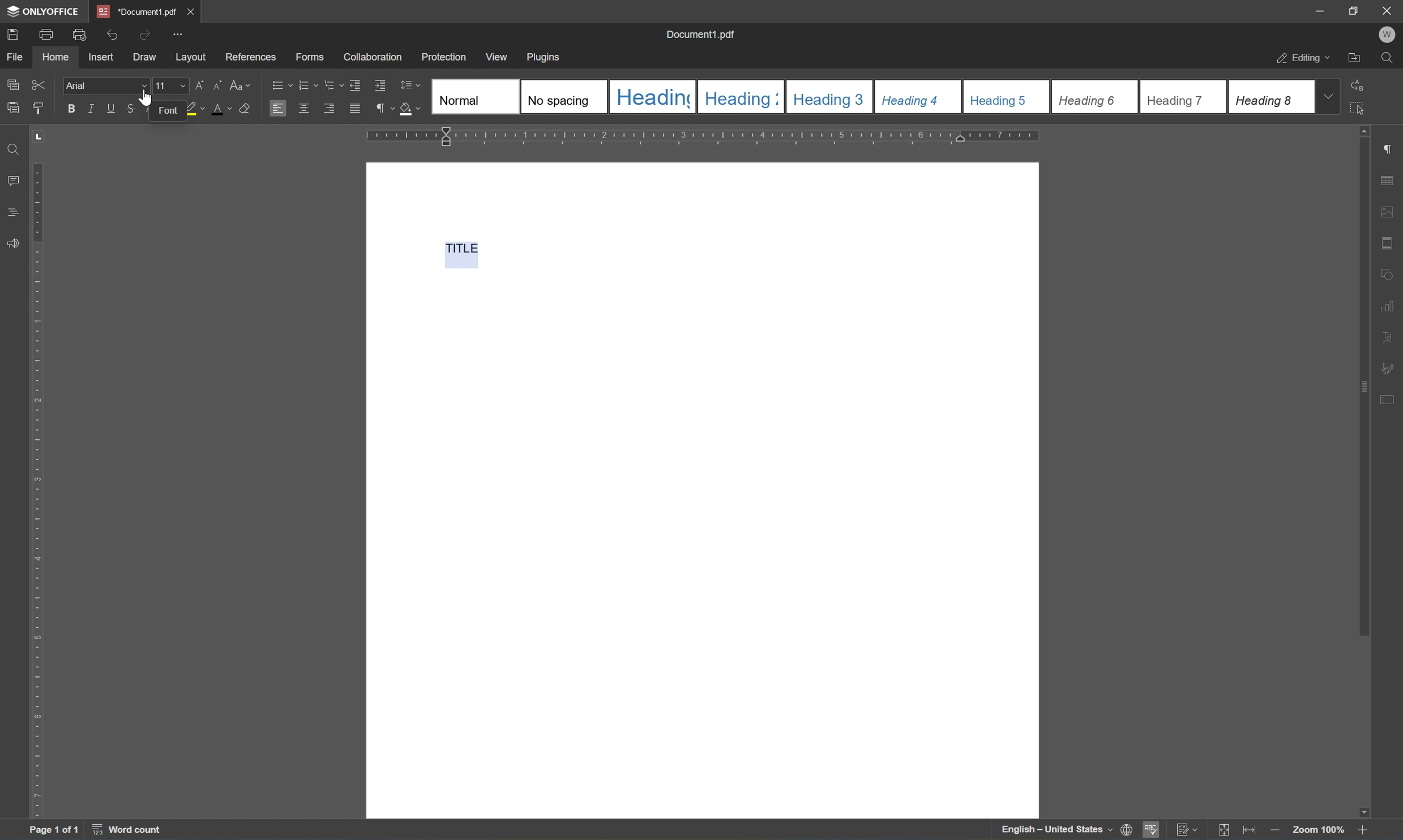 The image size is (1403, 840). Describe the element at coordinates (308, 85) in the screenshot. I see `numbering` at that location.